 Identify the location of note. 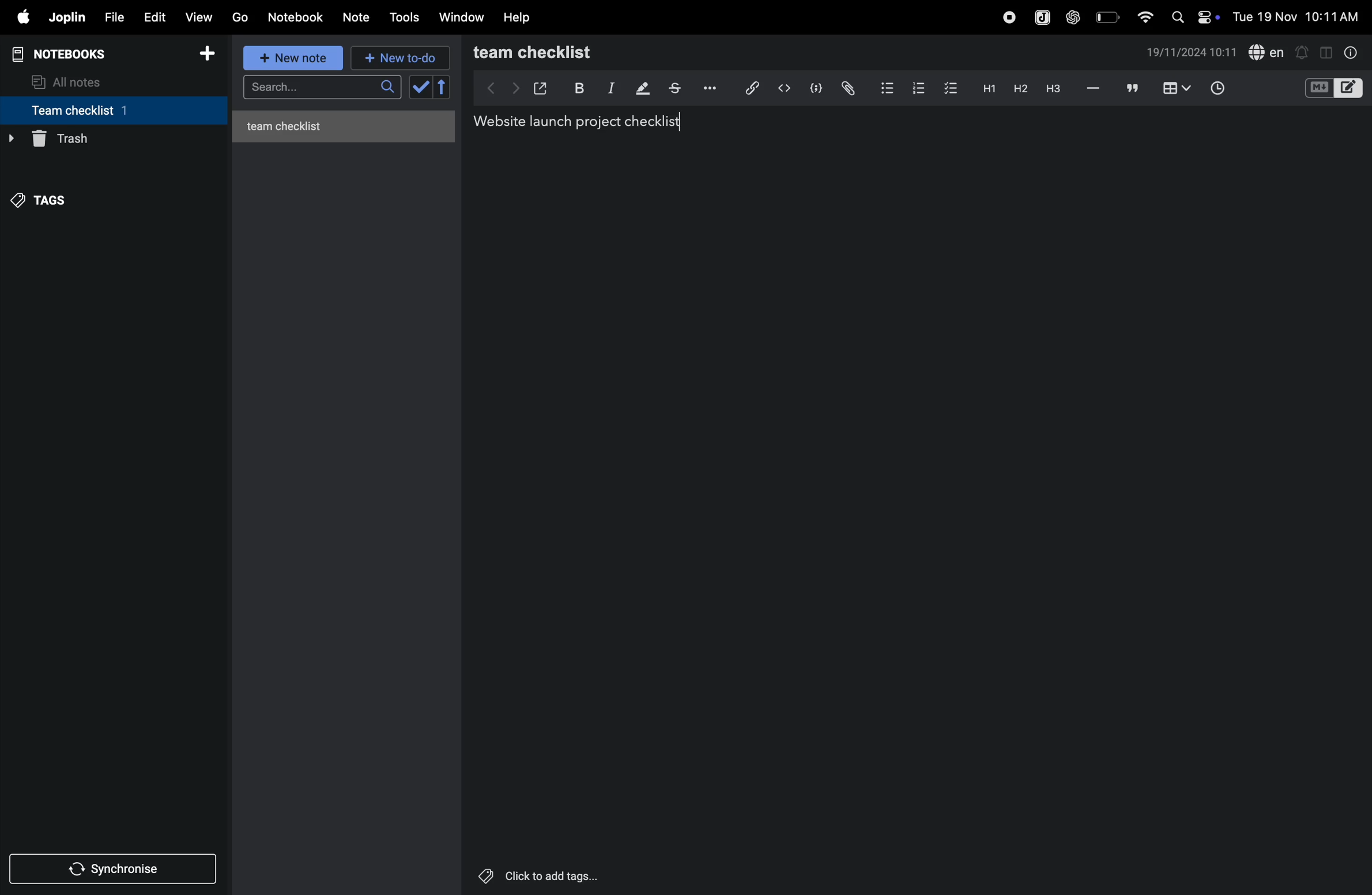
(361, 16).